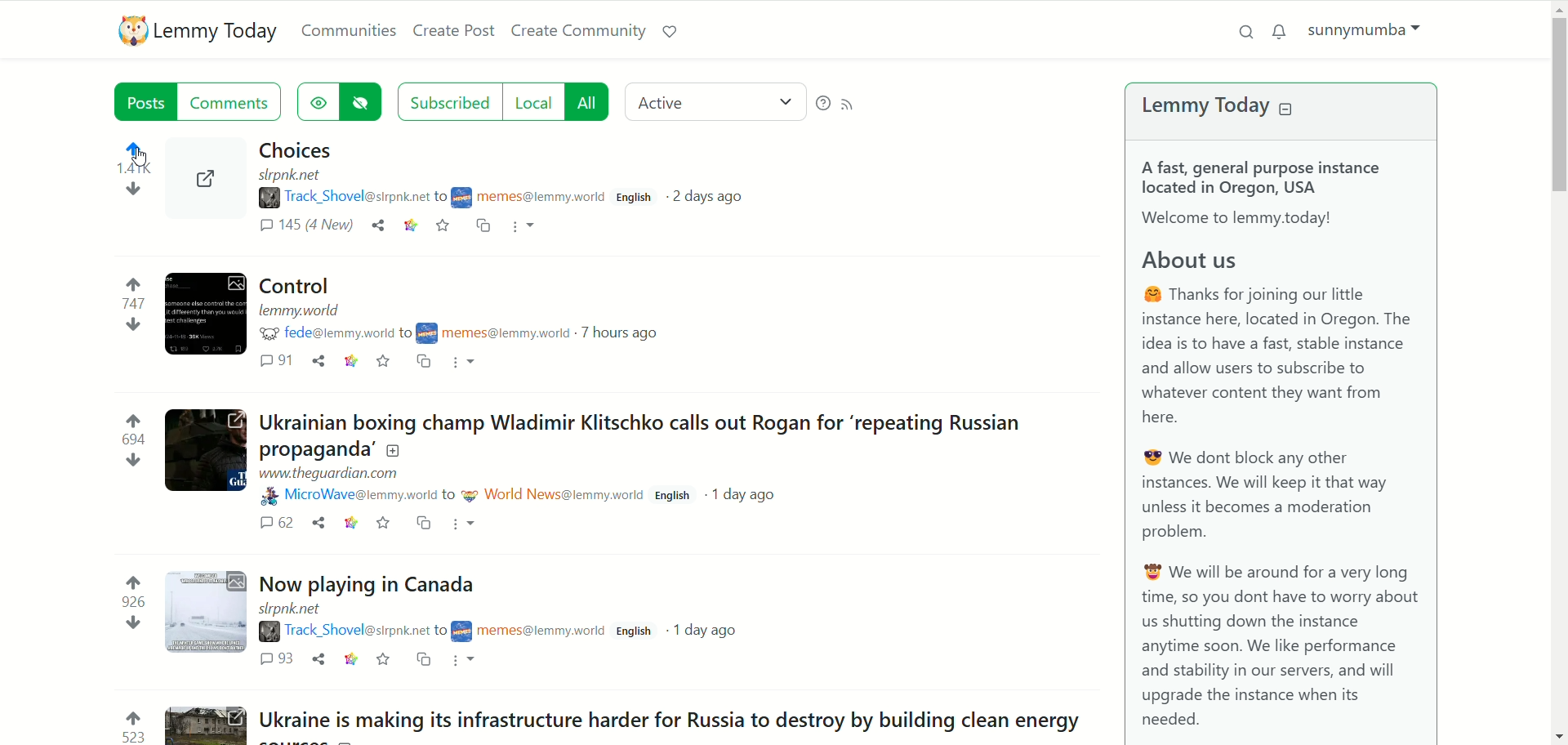  I want to click on English, so click(639, 198).